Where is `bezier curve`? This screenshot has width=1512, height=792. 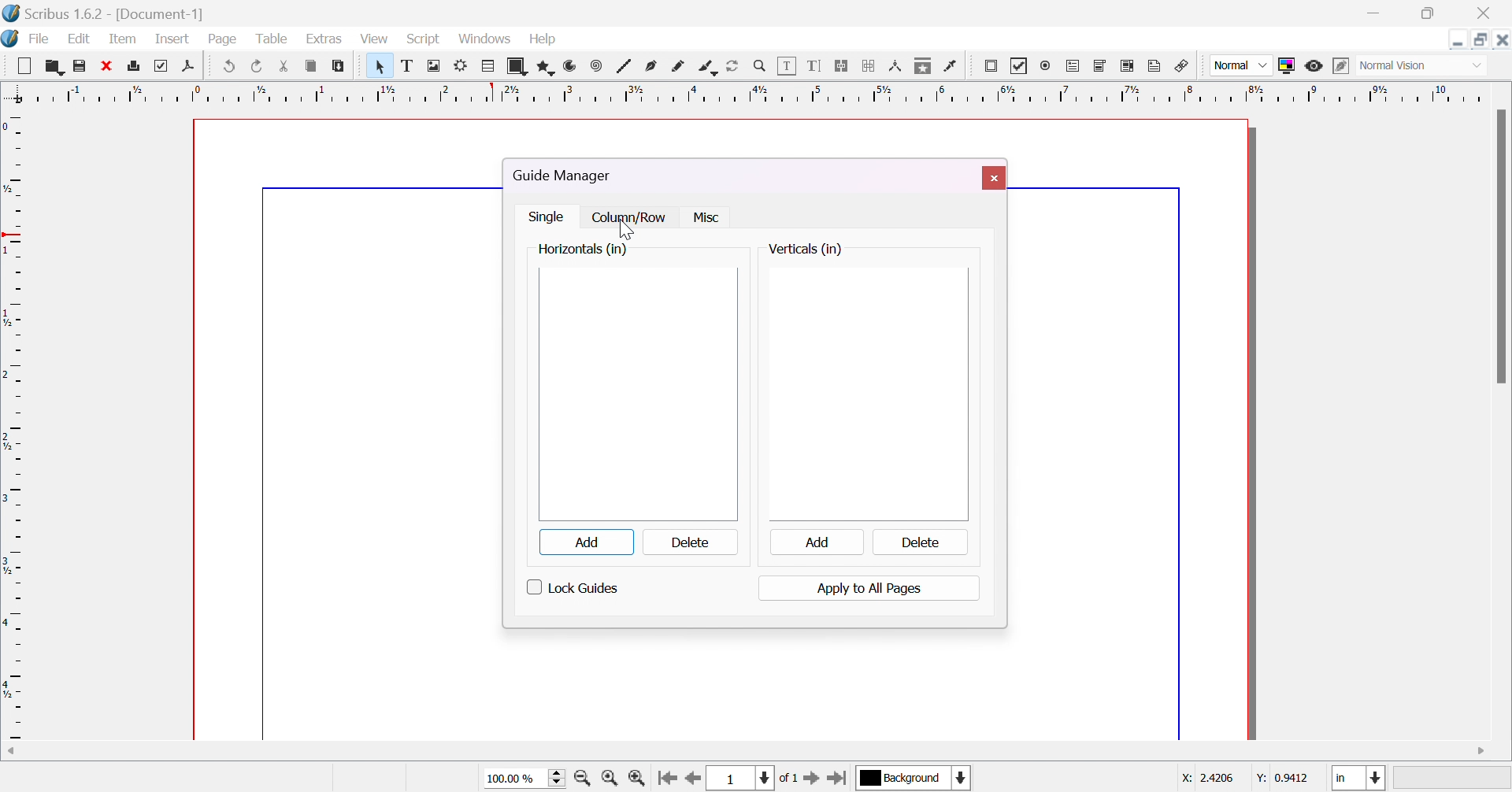
bezier curve is located at coordinates (652, 67).